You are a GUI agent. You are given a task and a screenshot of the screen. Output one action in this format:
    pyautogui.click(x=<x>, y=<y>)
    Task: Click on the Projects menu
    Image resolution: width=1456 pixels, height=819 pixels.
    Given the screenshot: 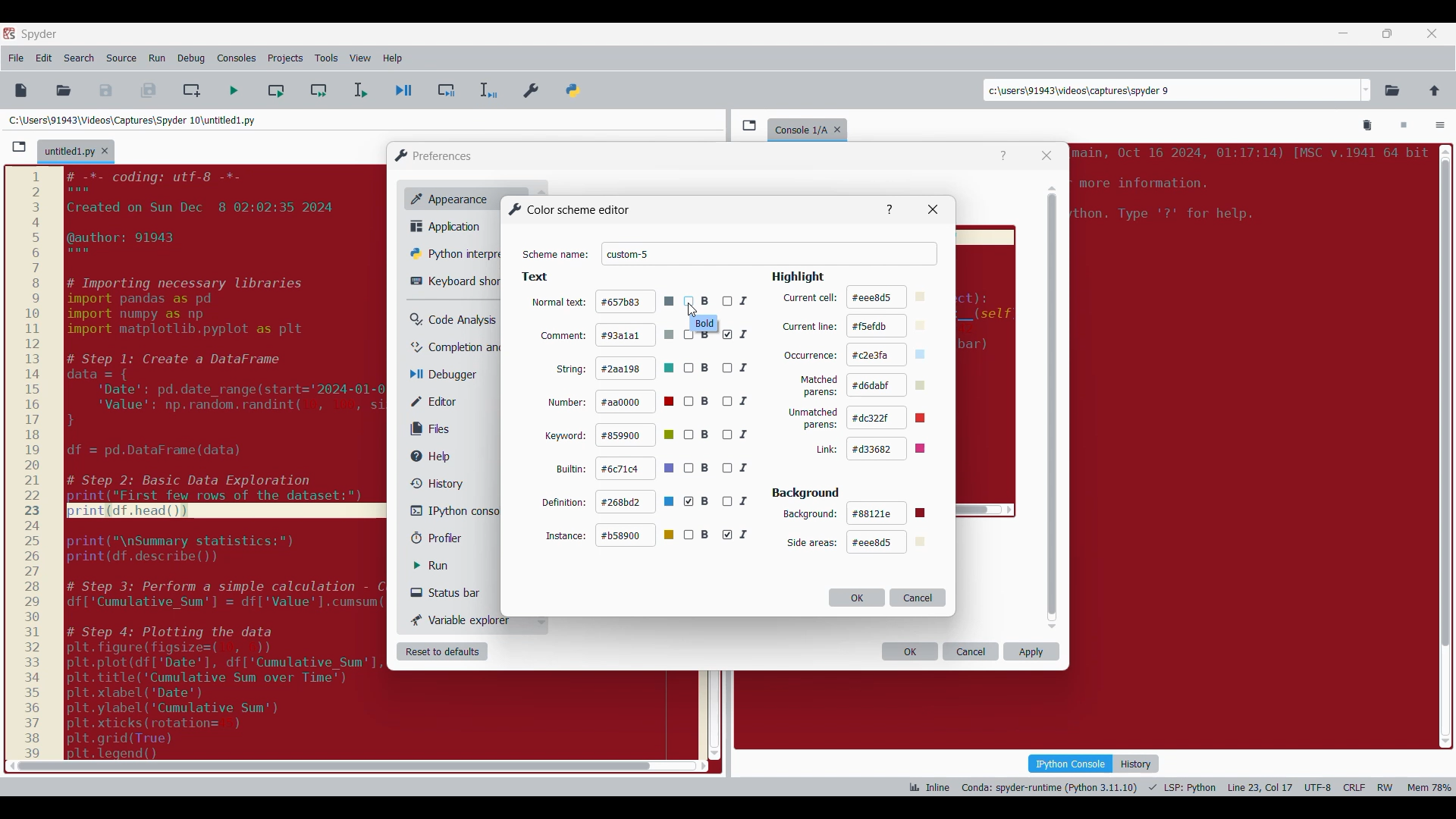 What is the action you would take?
    pyautogui.click(x=285, y=58)
    